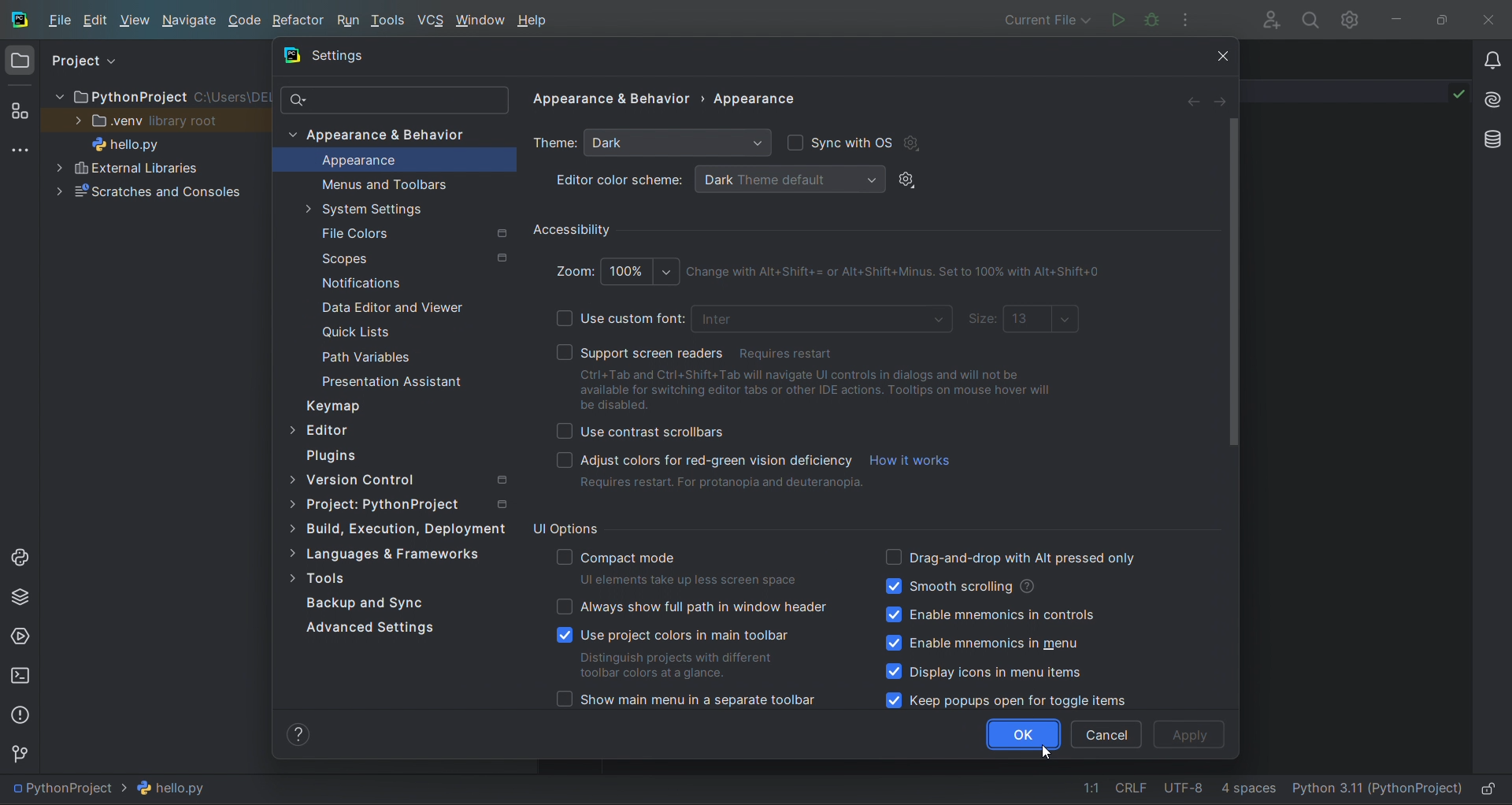  I want to click on Scratches and Consoles, so click(157, 198).